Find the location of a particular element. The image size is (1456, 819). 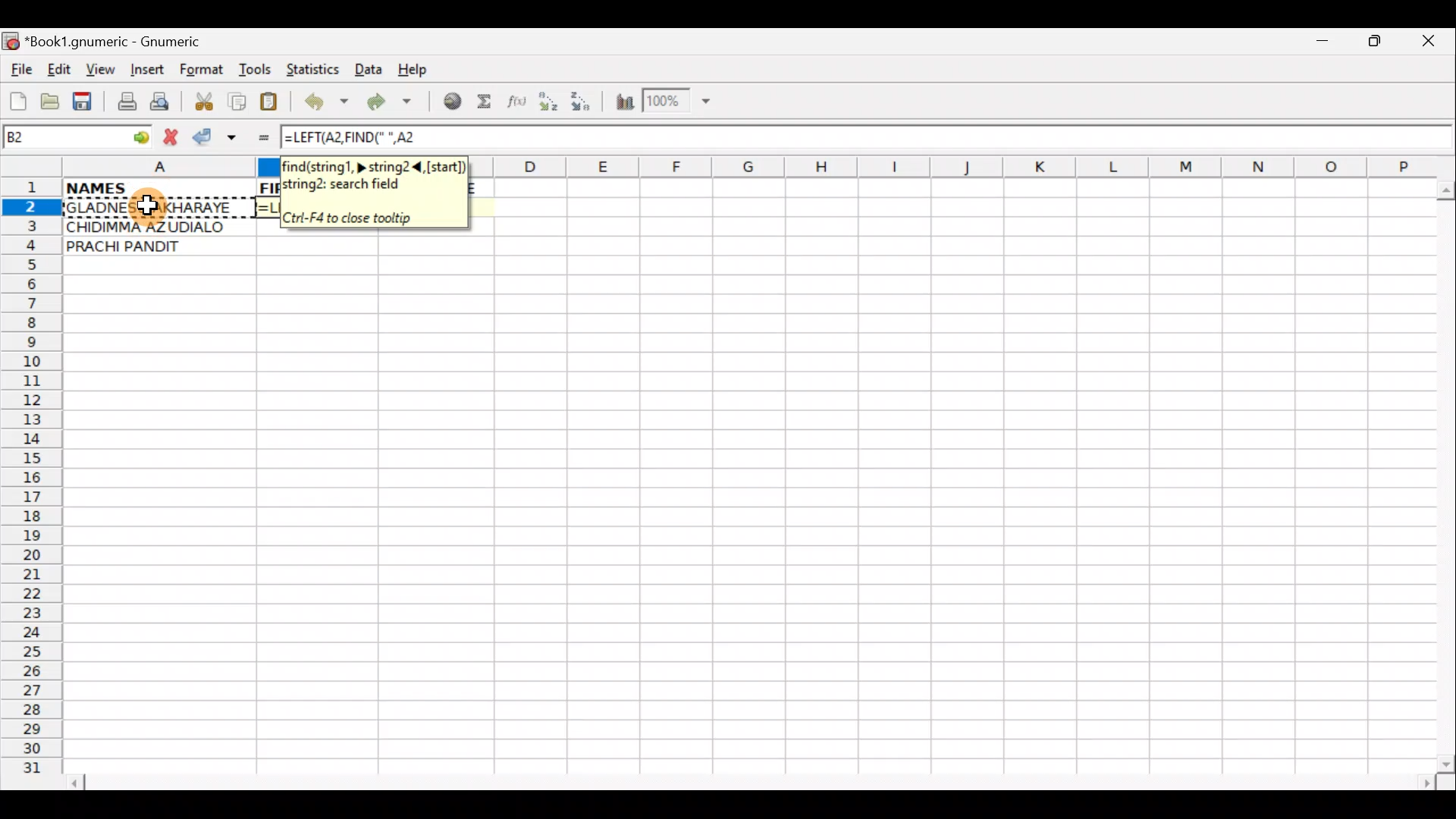

find(string1,>, string2<(start)string2: search field. Ctri-F4 to close tooltip. is located at coordinates (374, 193).